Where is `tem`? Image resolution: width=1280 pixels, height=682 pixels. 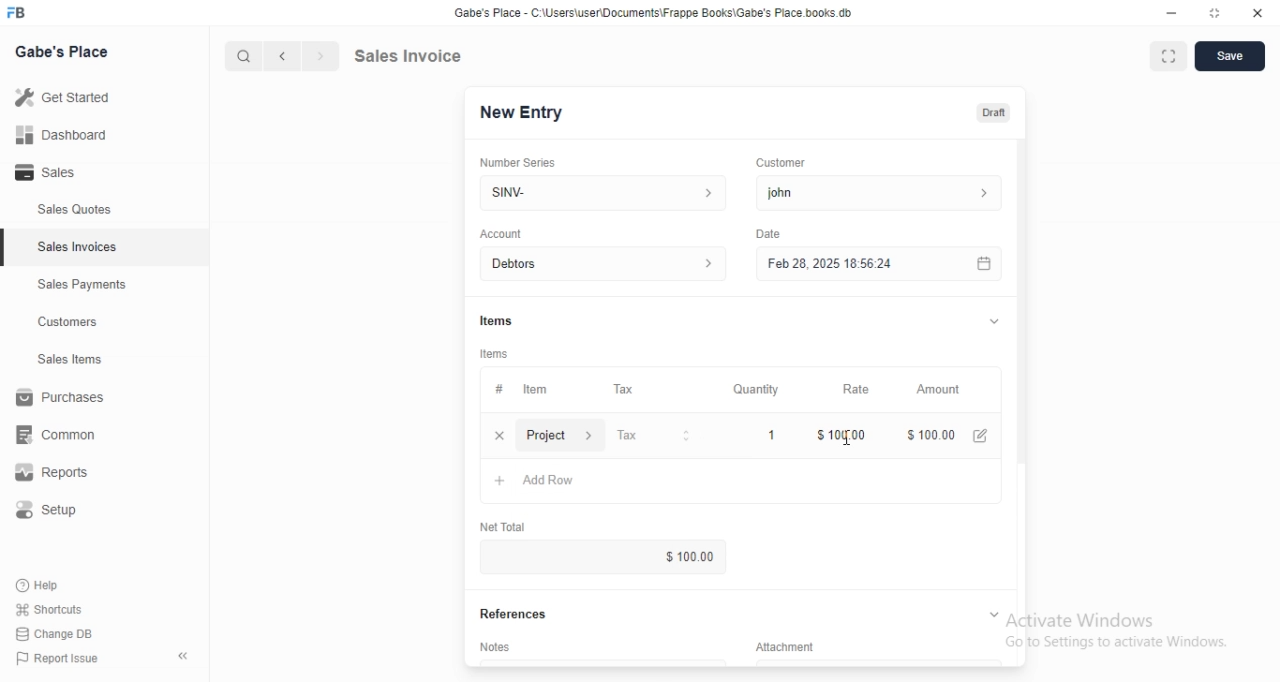 tem is located at coordinates (541, 389).